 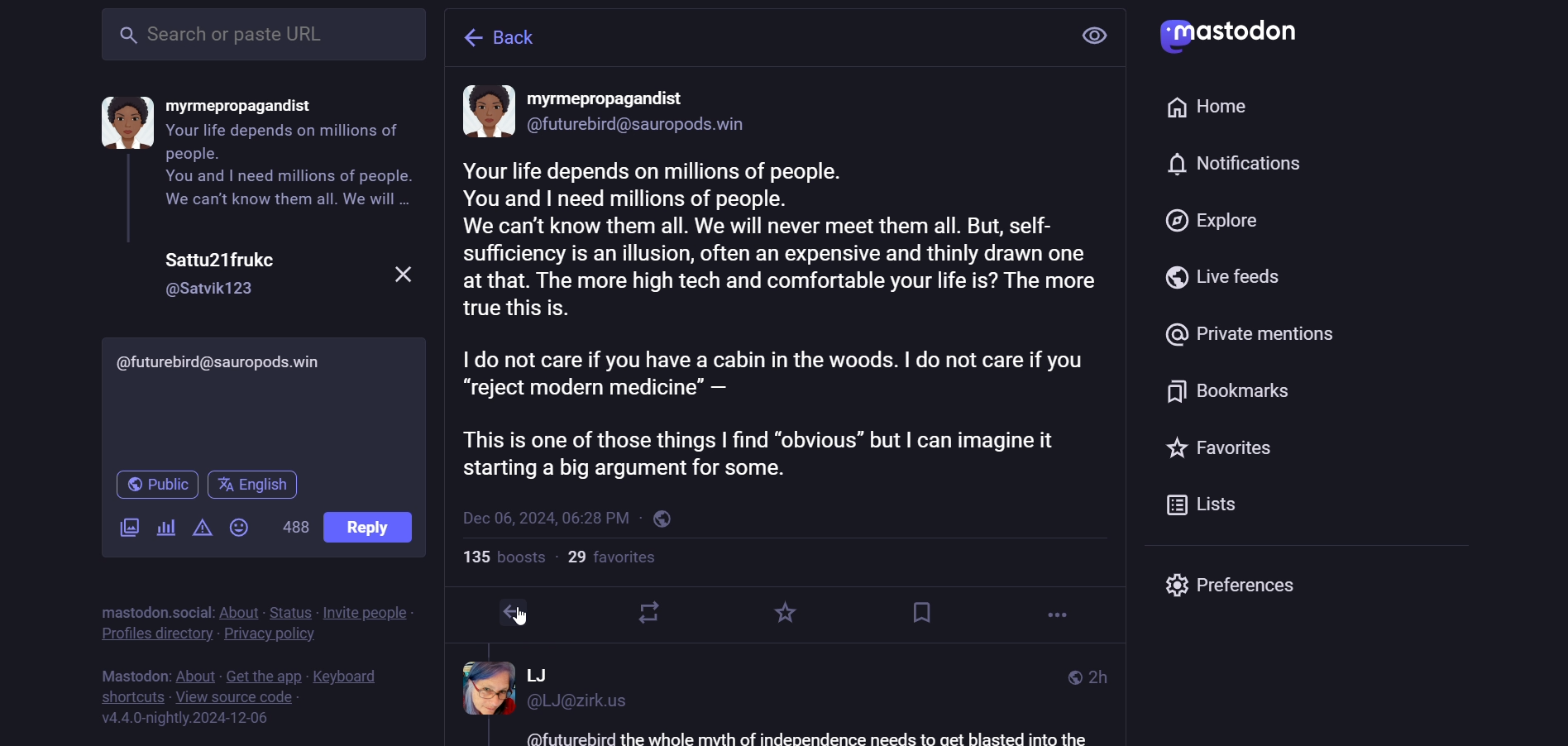 I want to click on reply, so click(x=509, y=614).